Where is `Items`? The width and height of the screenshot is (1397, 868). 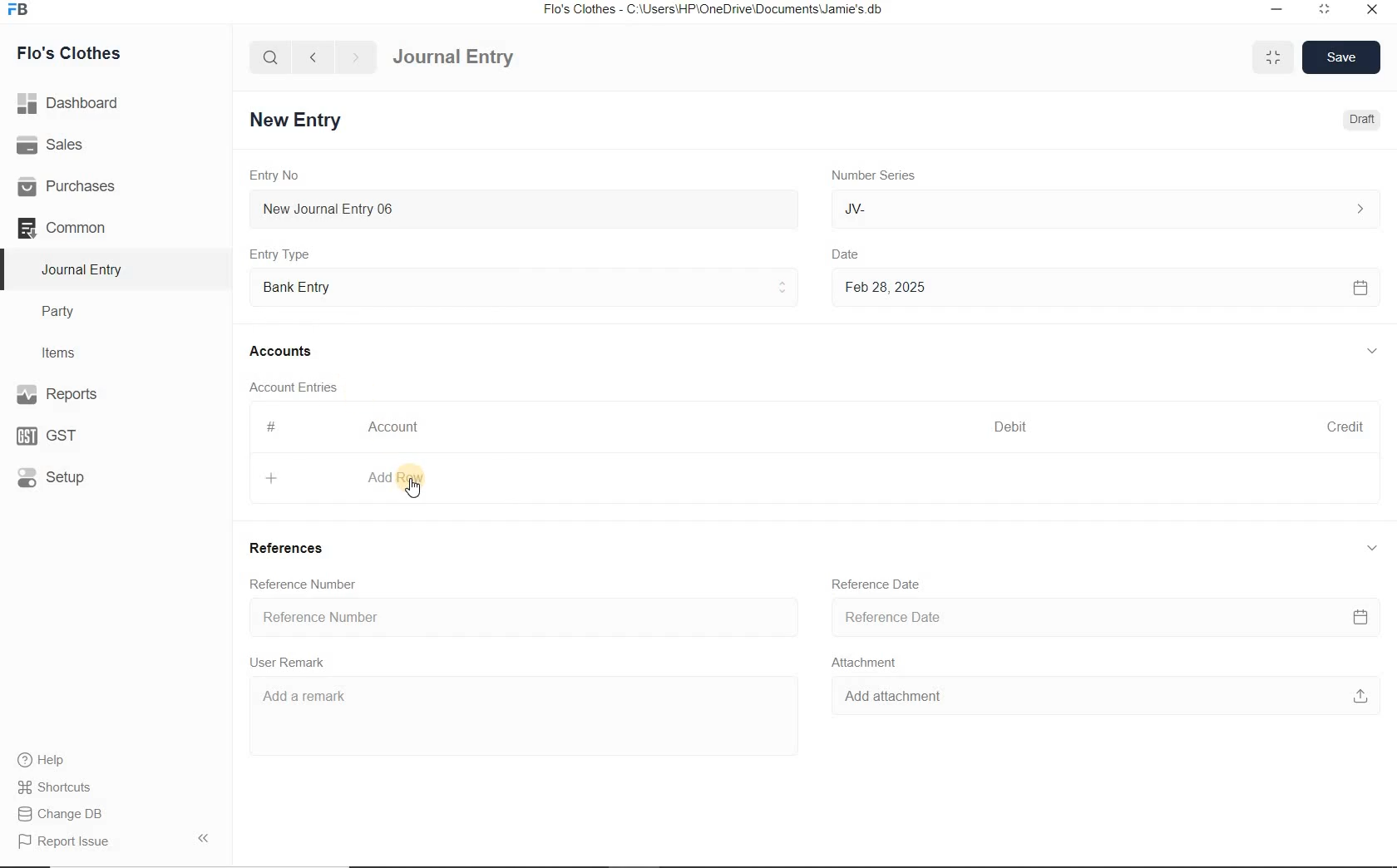 Items is located at coordinates (67, 351).